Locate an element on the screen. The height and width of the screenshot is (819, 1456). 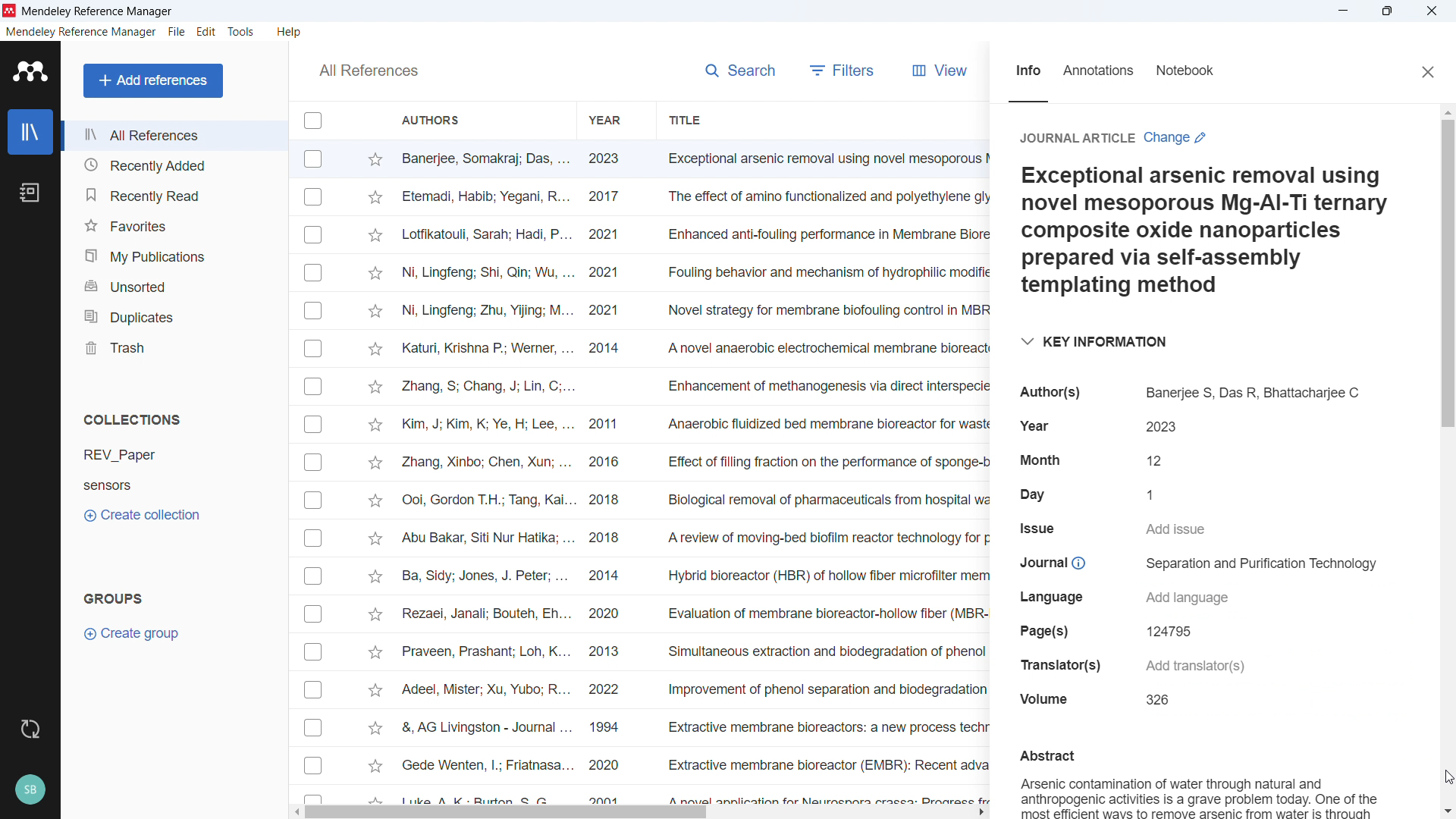
library is located at coordinates (30, 131).